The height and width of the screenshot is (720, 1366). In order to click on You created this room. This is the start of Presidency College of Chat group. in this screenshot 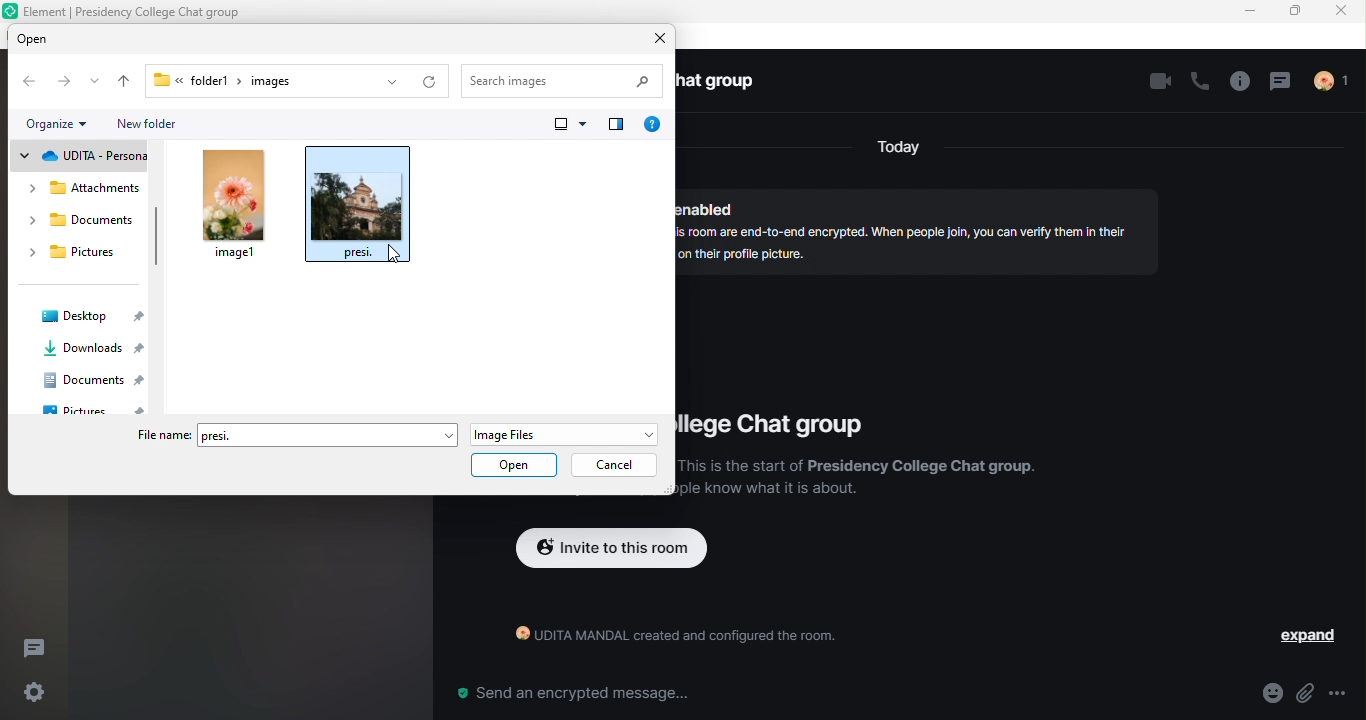, I will do `click(858, 483)`.